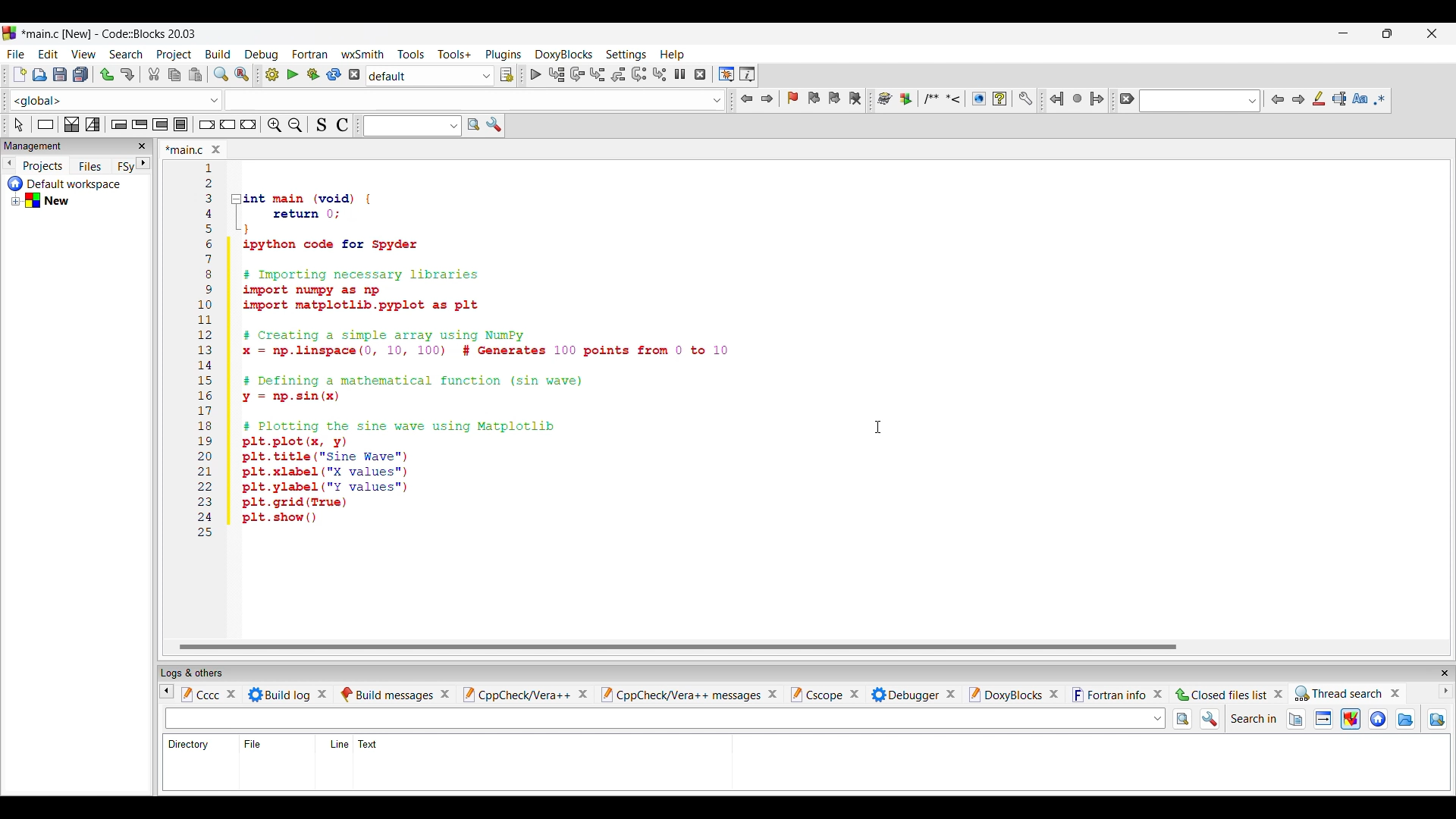 The width and height of the screenshot is (1456, 819). What do you see at coordinates (59, 146) in the screenshot?
I see `Close` at bounding box center [59, 146].